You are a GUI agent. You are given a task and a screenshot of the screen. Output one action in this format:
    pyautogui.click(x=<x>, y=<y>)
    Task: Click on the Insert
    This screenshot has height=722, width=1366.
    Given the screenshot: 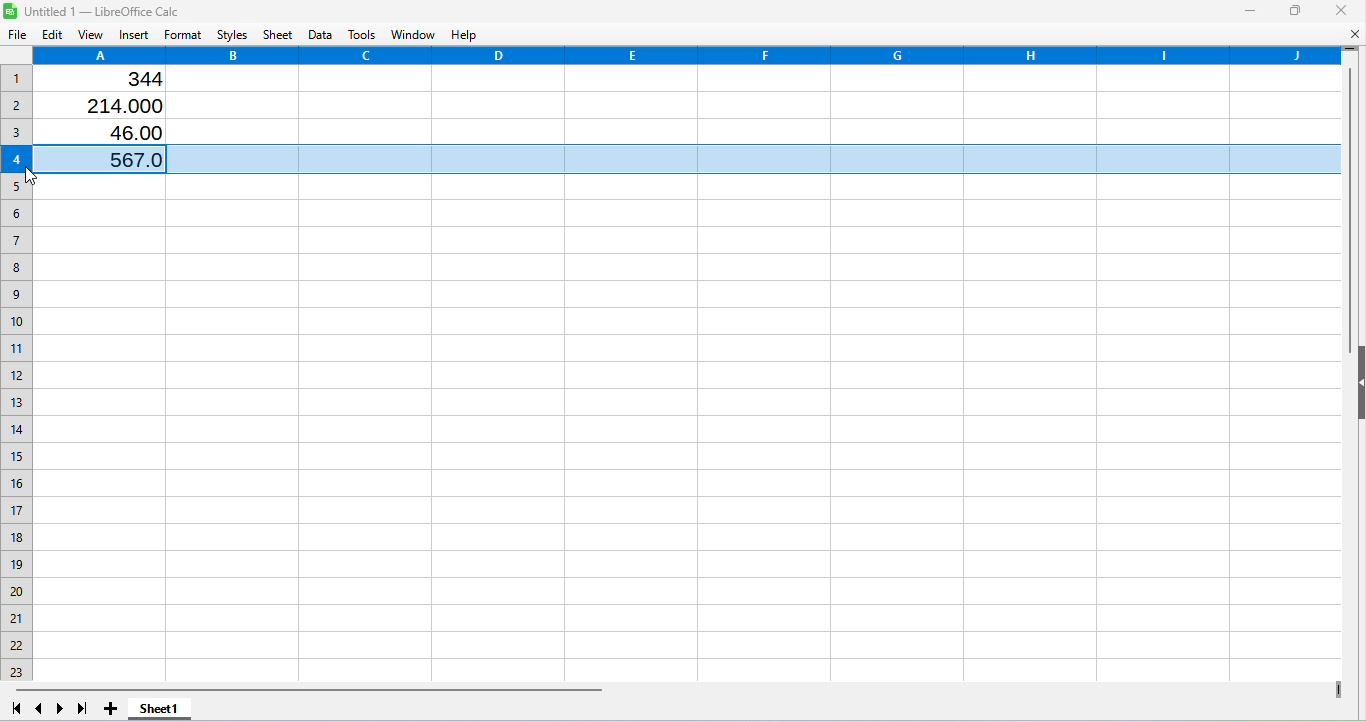 What is the action you would take?
    pyautogui.click(x=132, y=36)
    